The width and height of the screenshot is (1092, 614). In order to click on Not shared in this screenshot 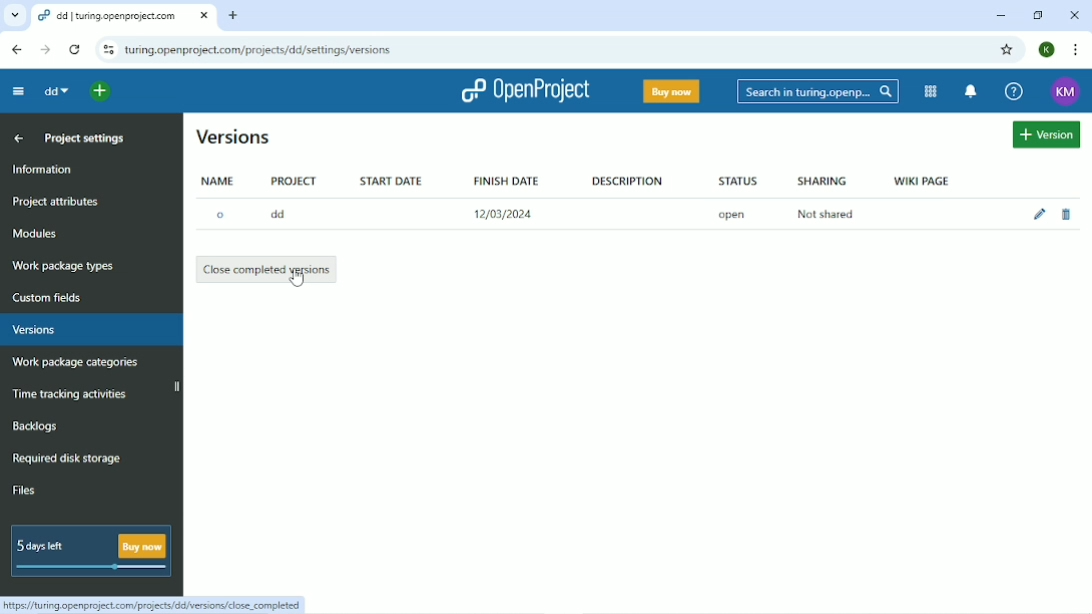, I will do `click(821, 214)`.